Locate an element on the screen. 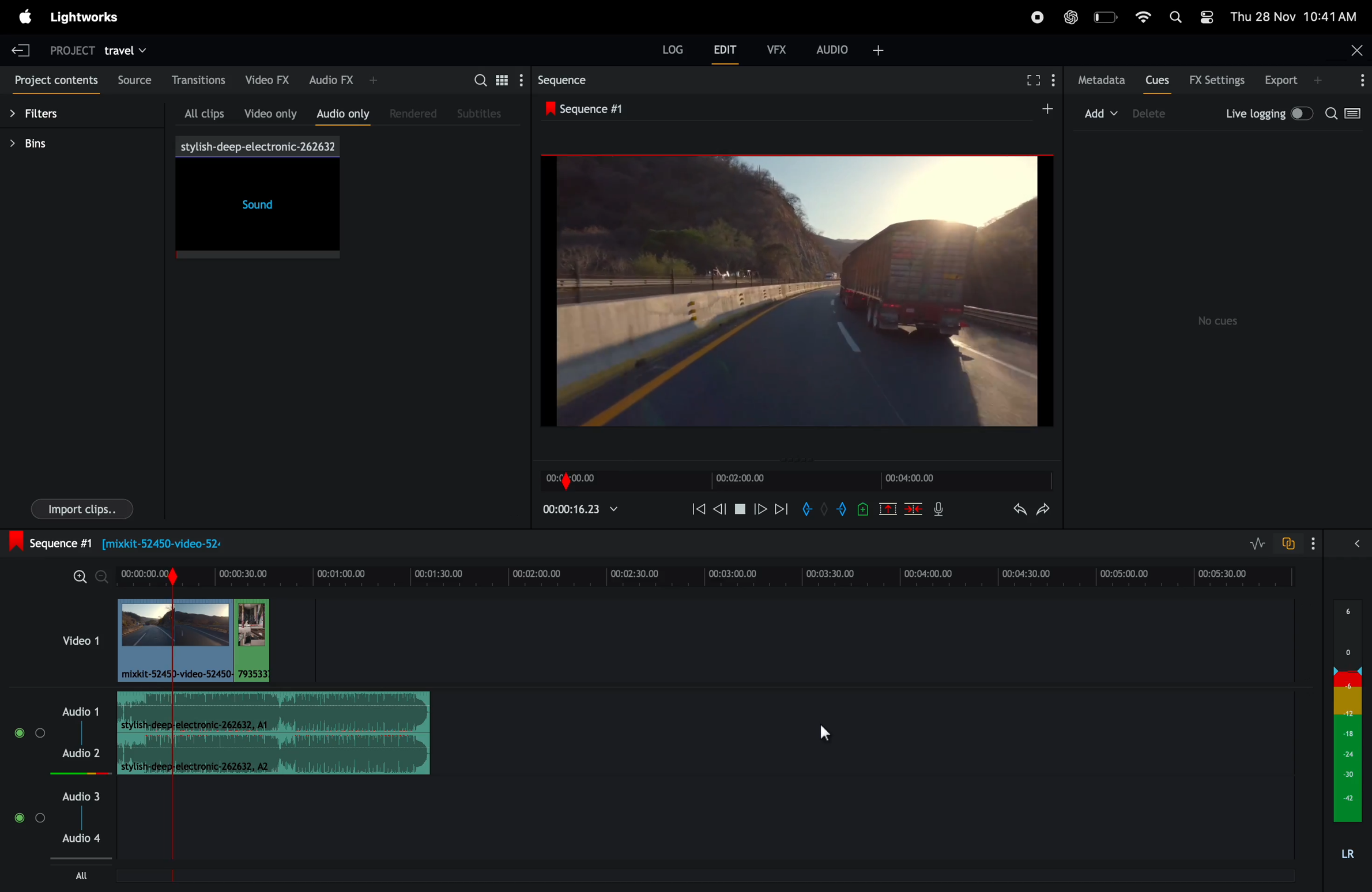  apple widgets is located at coordinates (1190, 14).